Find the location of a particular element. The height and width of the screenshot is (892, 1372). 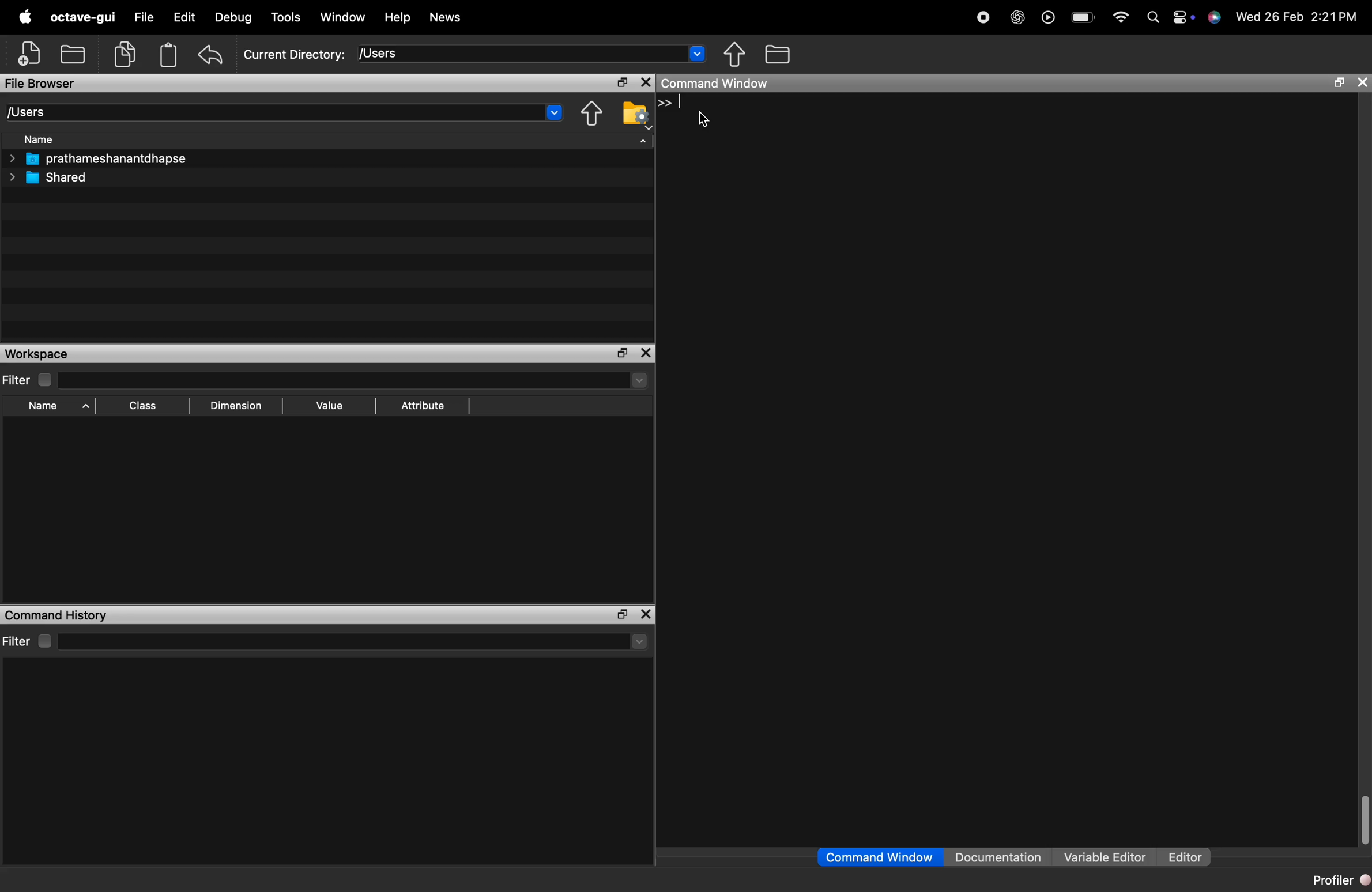

close is located at coordinates (646, 354).